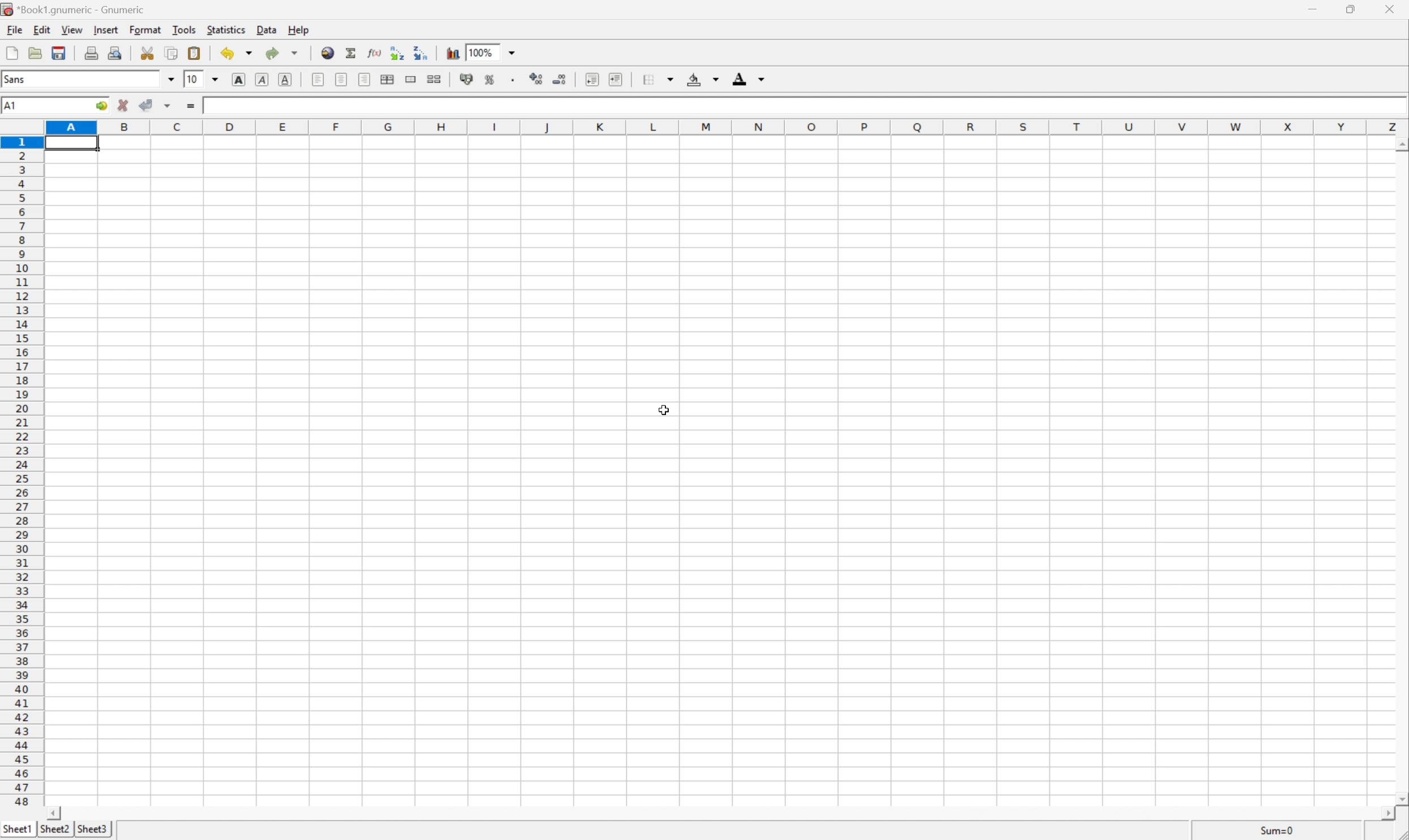  What do you see at coordinates (227, 29) in the screenshot?
I see `Statistics` at bounding box center [227, 29].